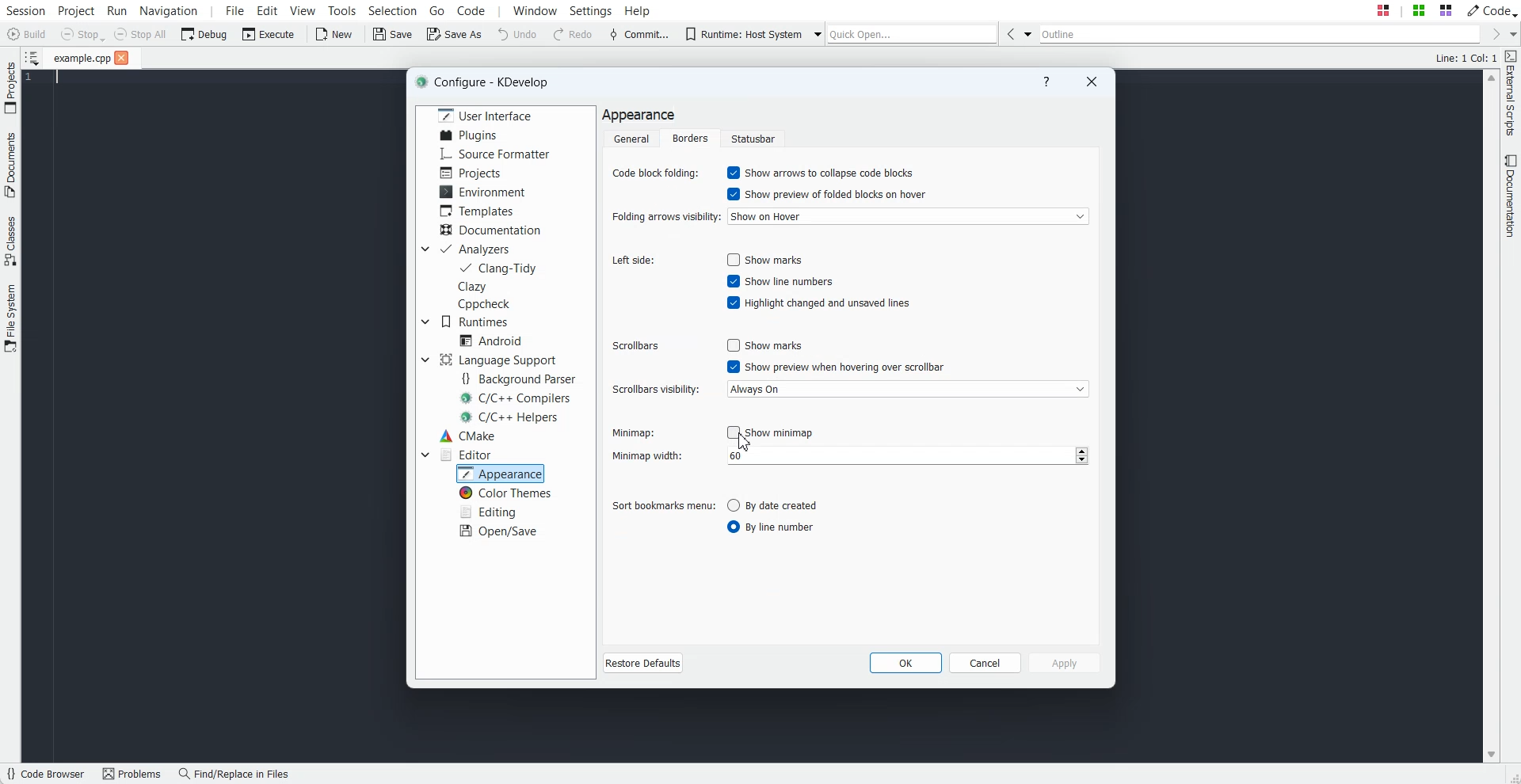 The width and height of the screenshot is (1521, 784). What do you see at coordinates (1066, 663) in the screenshot?
I see `Apply` at bounding box center [1066, 663].